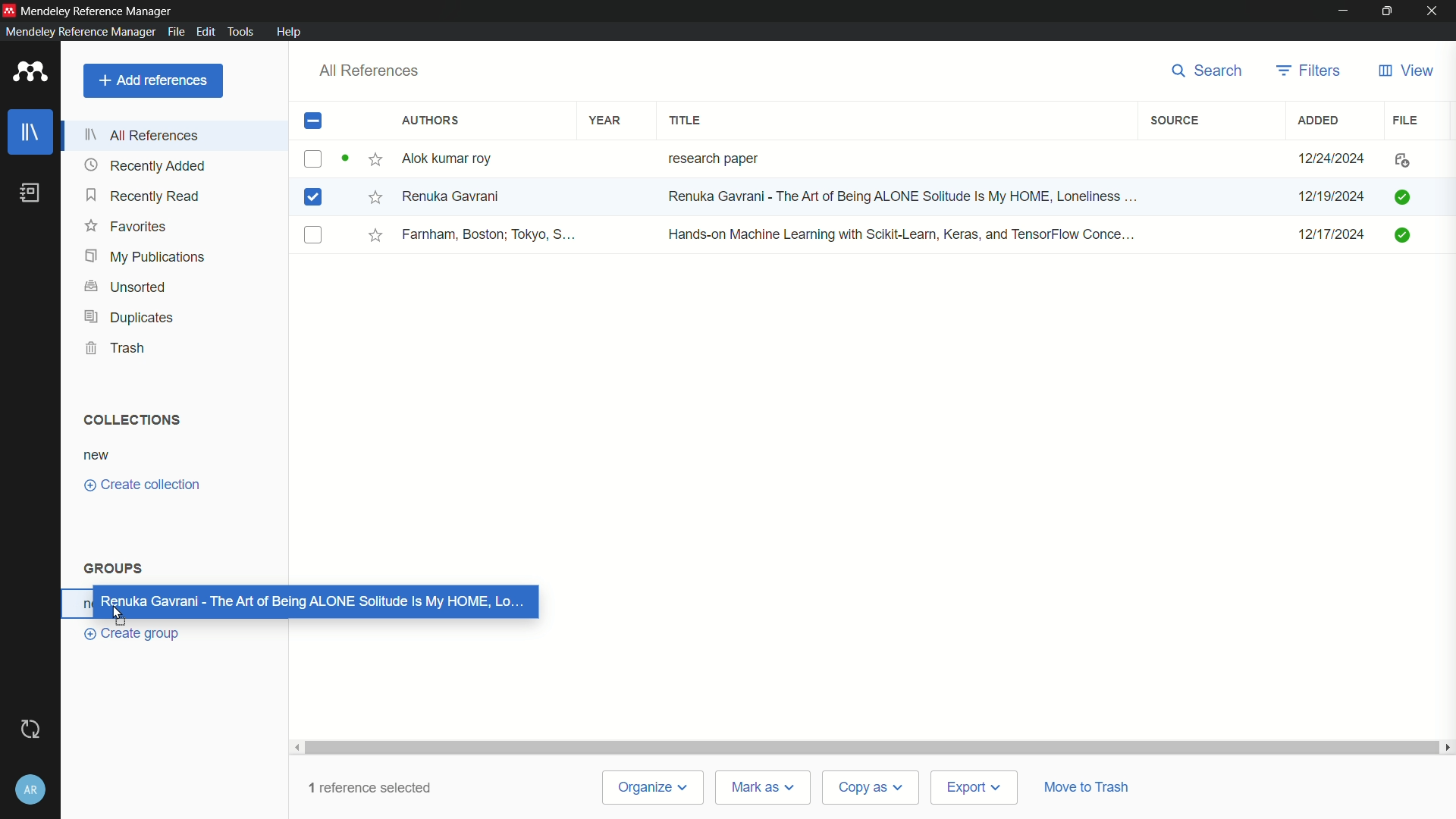 This screenshot has height=819, width=1456. What do you see at coordinates (146, 165) in the screenshot?
I see `recently added` at bounding box center [146, 165].